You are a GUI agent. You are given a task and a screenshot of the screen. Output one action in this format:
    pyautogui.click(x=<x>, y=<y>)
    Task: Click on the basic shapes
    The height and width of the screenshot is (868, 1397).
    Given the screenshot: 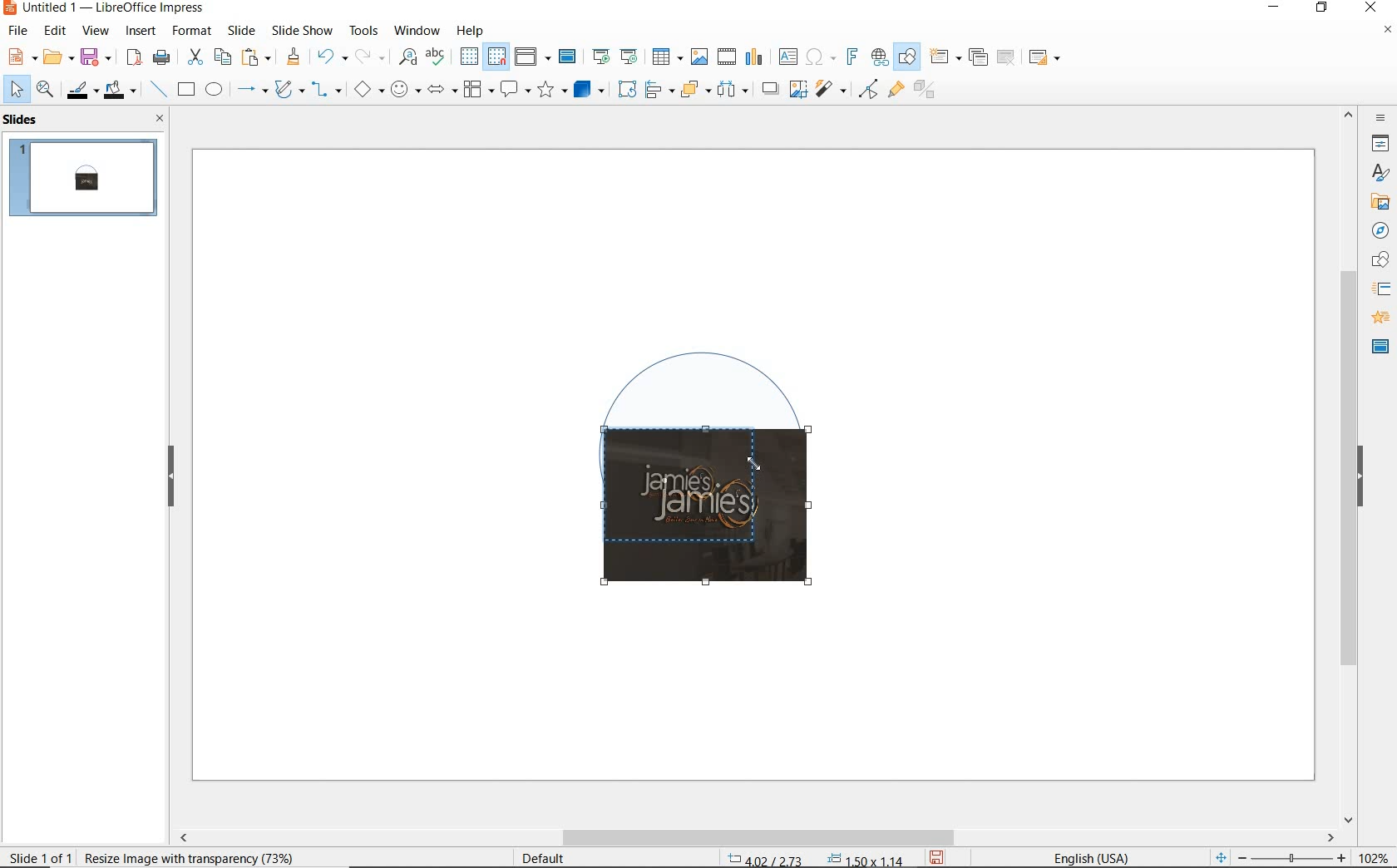 What is the action you would take?
    pyautogui.click(x=368, y=91)
    